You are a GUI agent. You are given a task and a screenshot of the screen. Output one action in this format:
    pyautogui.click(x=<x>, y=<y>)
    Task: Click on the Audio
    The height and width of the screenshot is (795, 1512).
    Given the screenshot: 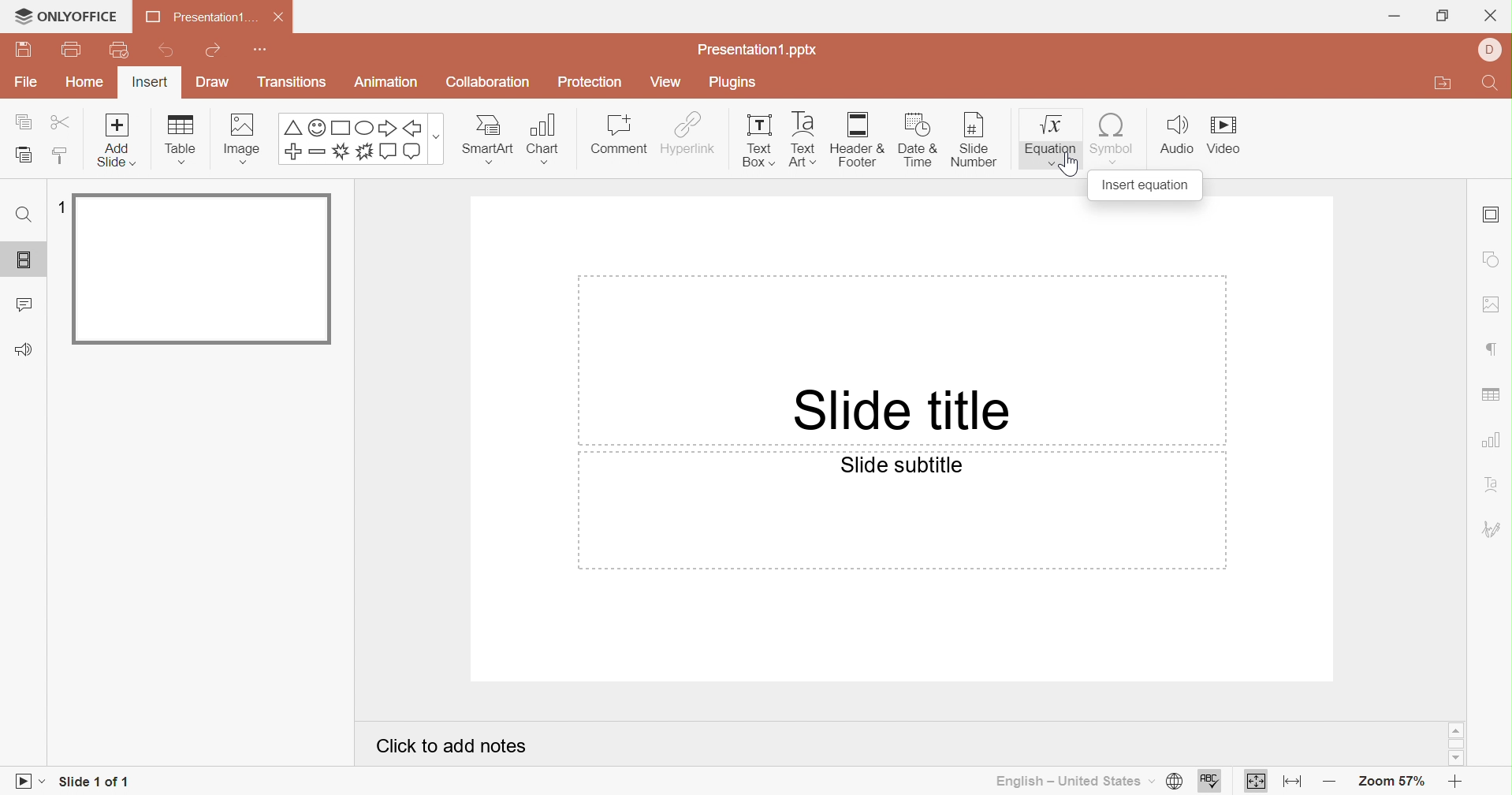 What is the action you would take?
    pyautogui.click(x=1177, y=135)
    